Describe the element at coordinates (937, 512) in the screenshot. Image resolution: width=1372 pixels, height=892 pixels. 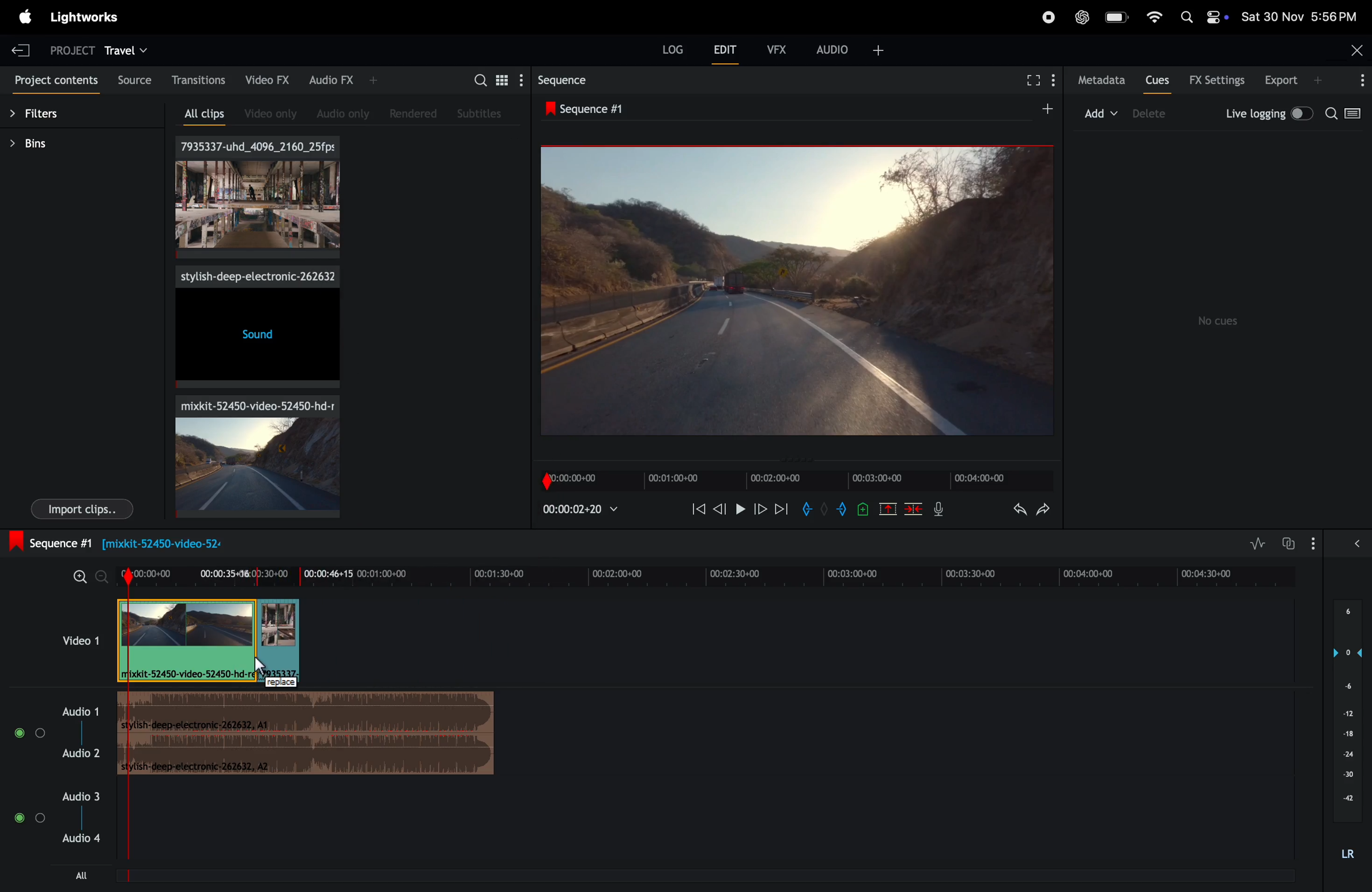
I see `mic` at that location.